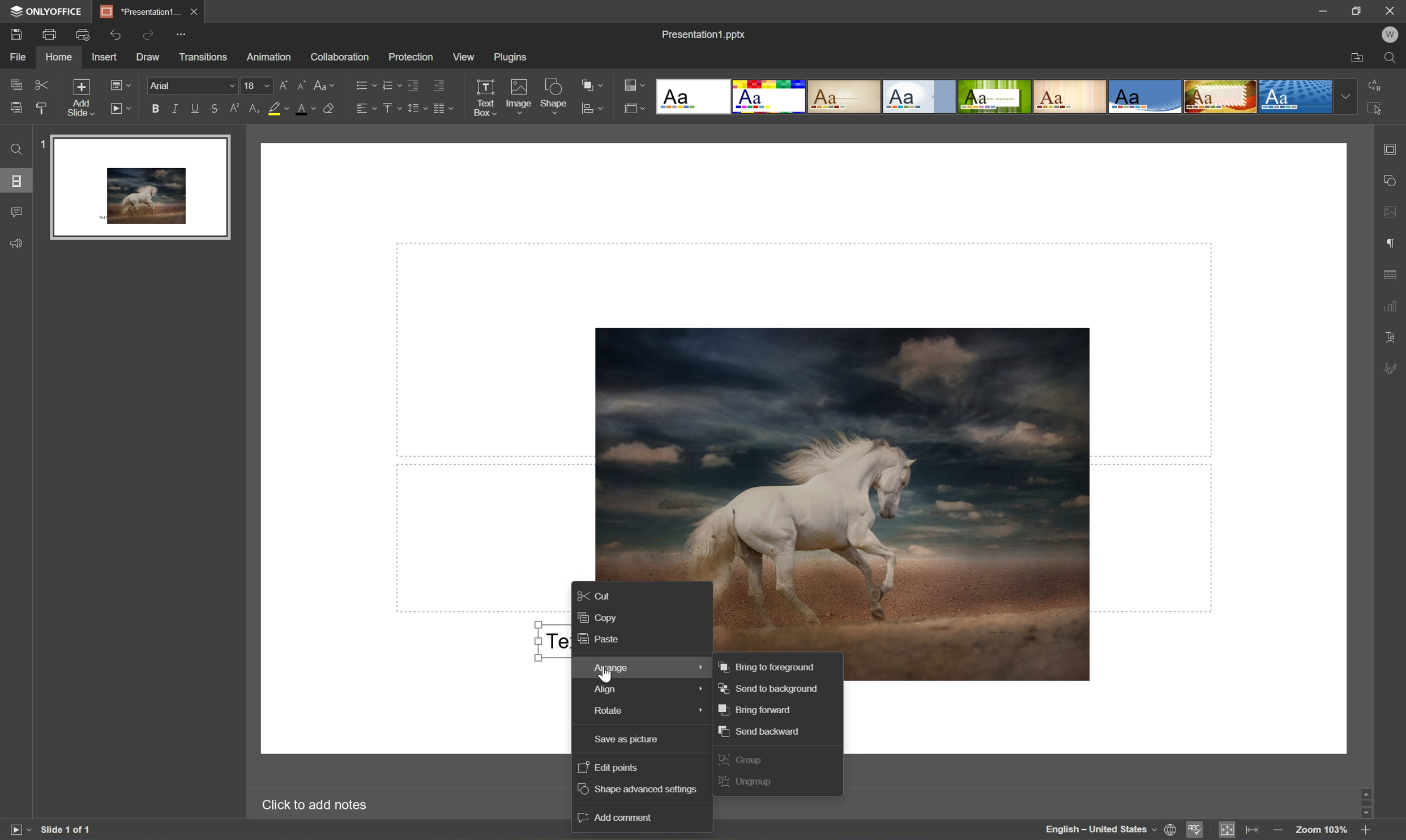 This screenshot has width=1406, height=840. Describe the element at coordinates (705, 35) in the screenshot. I see `Presentation1.pptx` at that location.